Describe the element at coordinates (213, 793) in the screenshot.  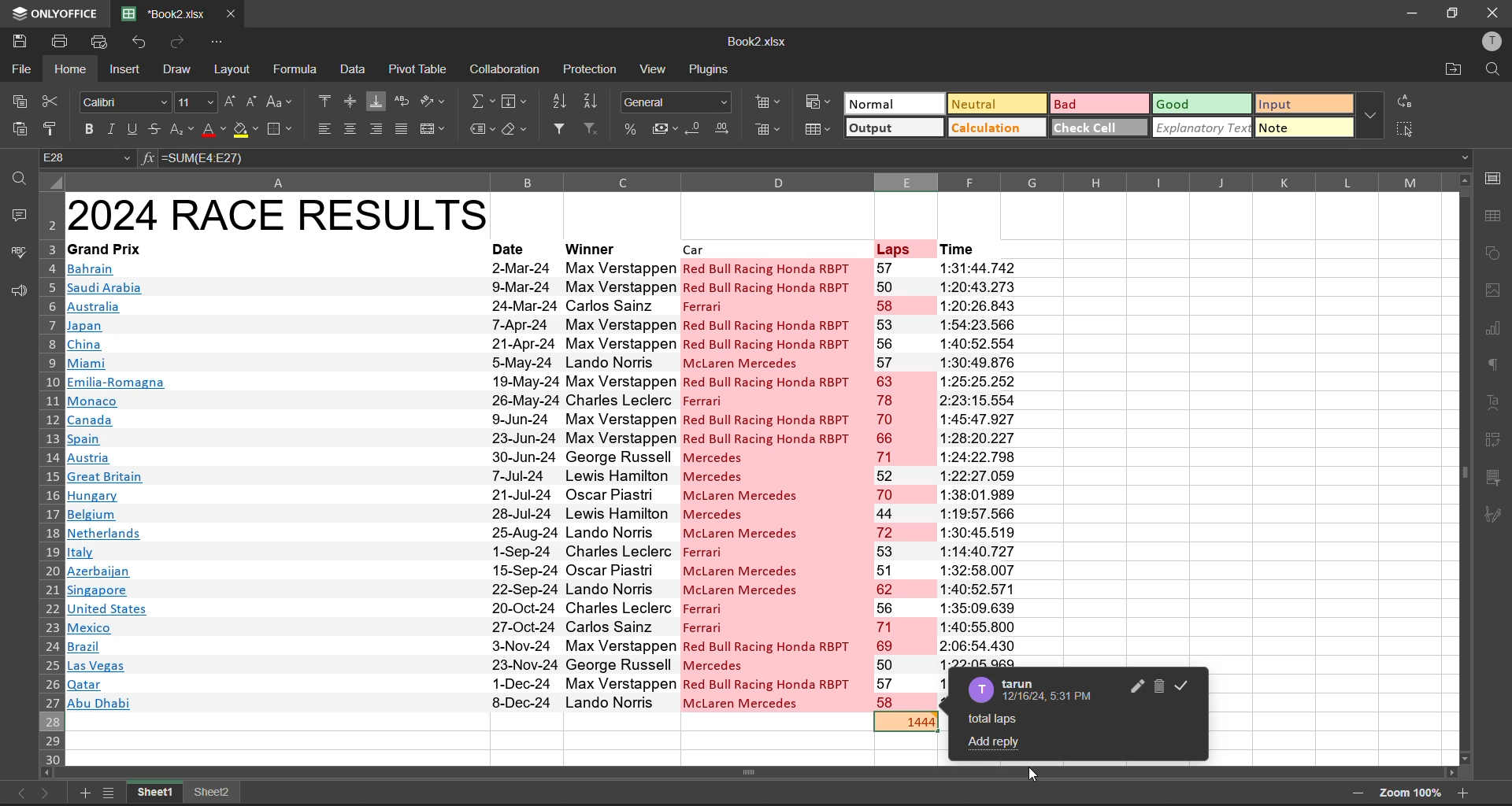
I see `sheet names` at that location.